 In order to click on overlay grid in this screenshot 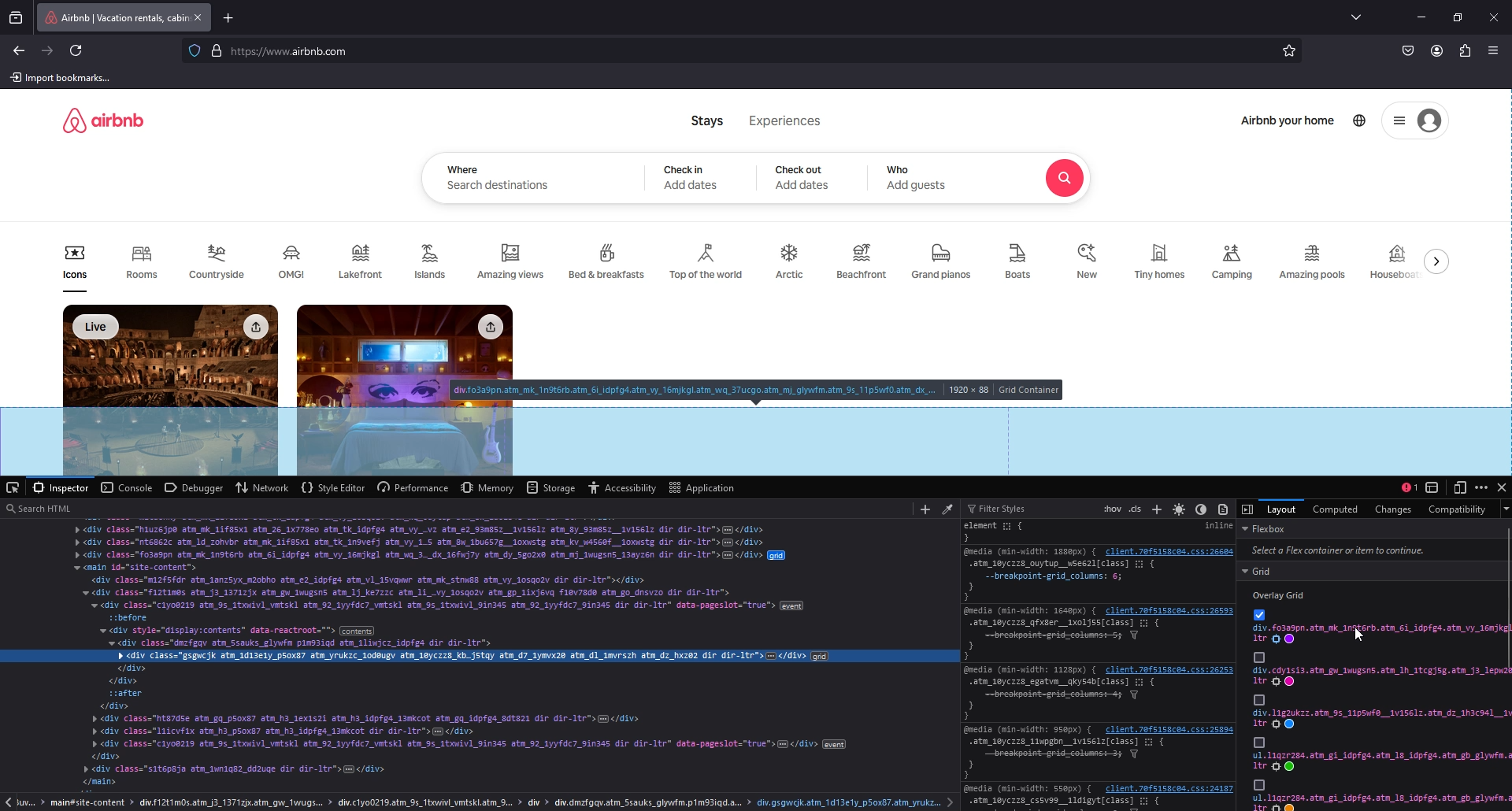, I will do `click(1284, 595)`.